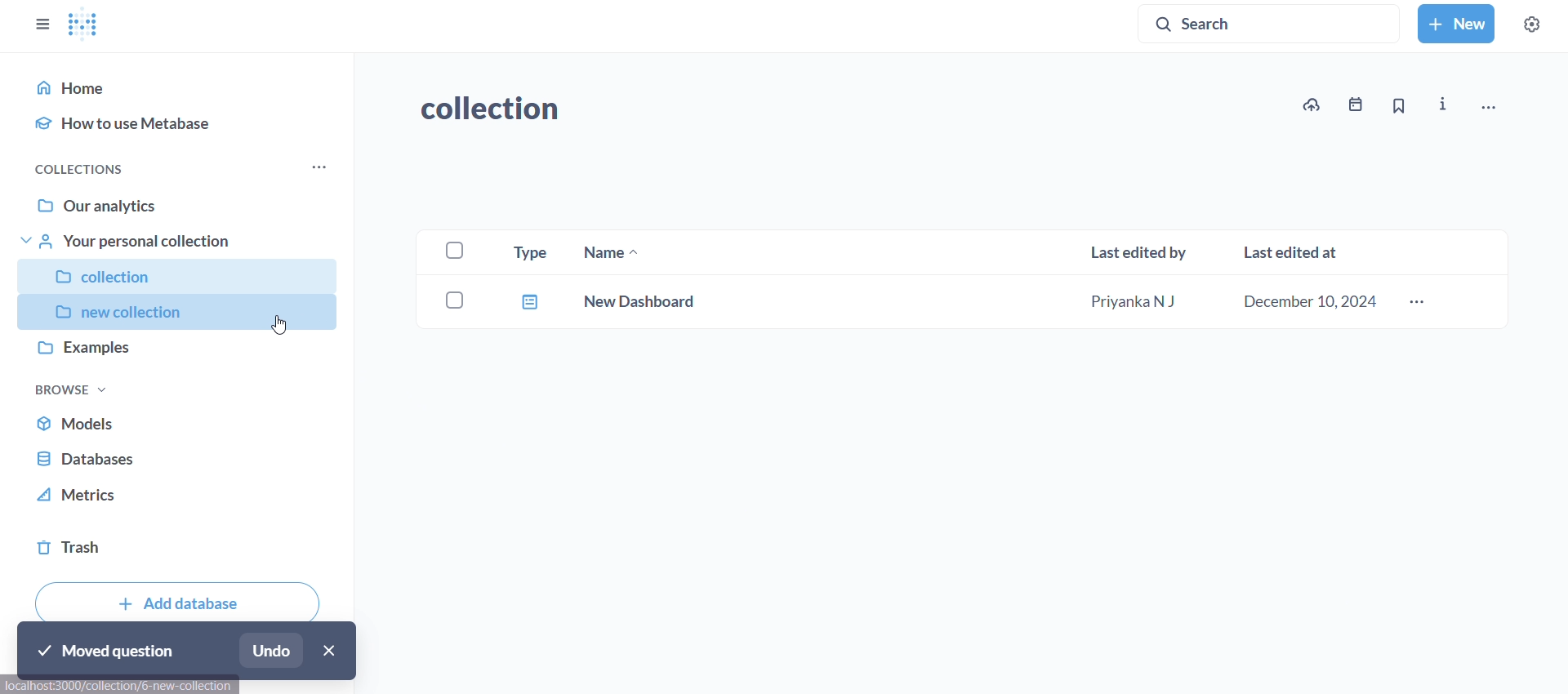 This screenshot has height=694, width=1568. I want to click on last edited at, so click(1295, 251).